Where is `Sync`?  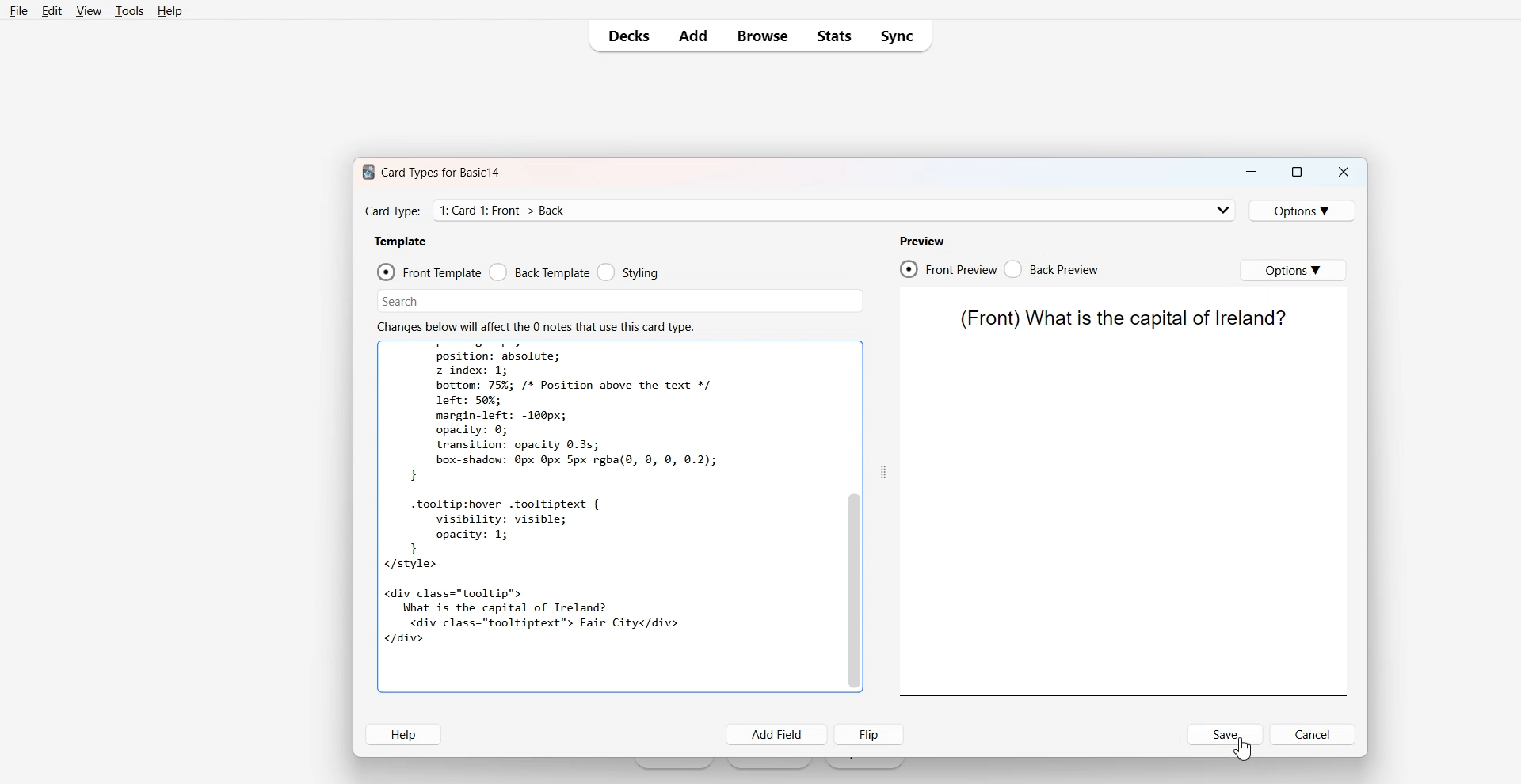 Sync is located at coordinates (900, 36).